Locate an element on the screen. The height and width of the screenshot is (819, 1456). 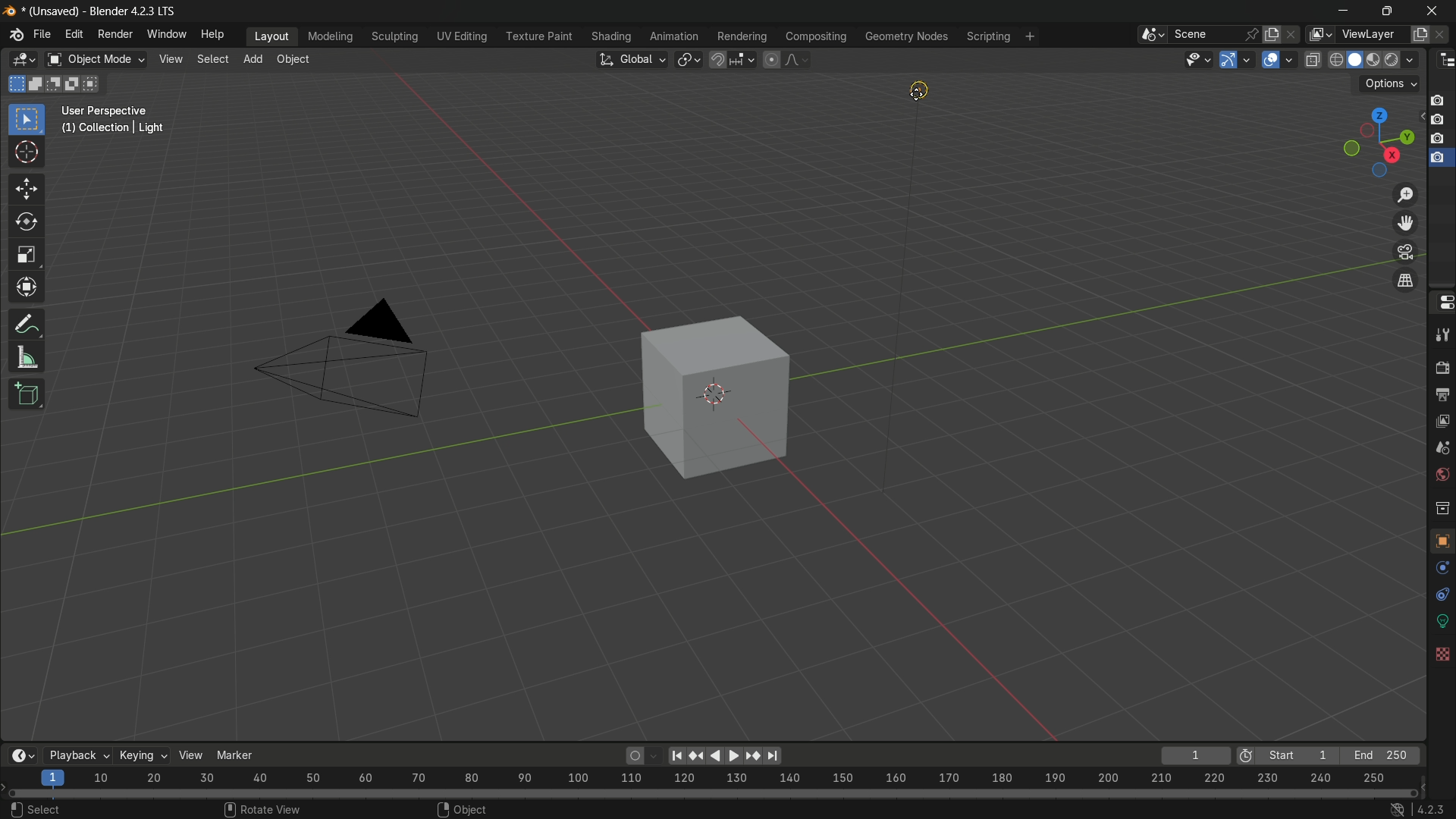
measure is located at coordinates (30, 358).